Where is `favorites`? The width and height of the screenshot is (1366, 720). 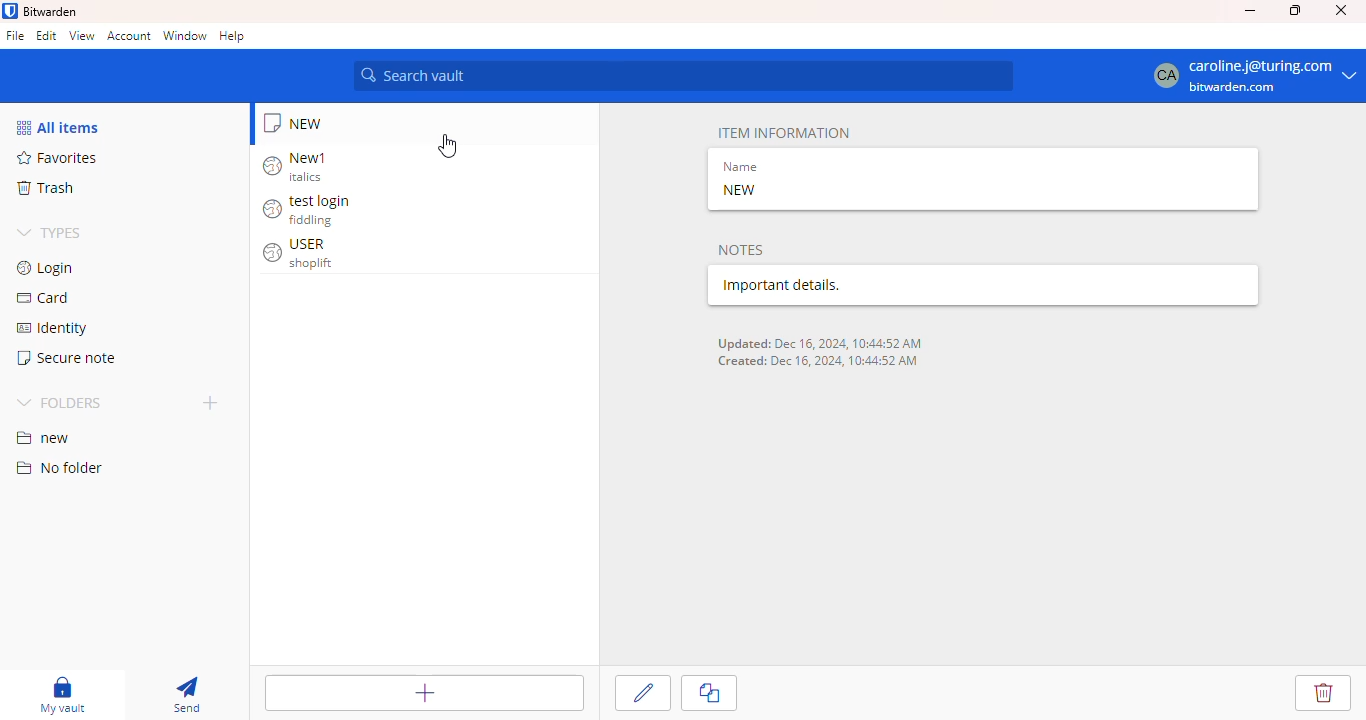
favorites is located at coordinates (61, 157).